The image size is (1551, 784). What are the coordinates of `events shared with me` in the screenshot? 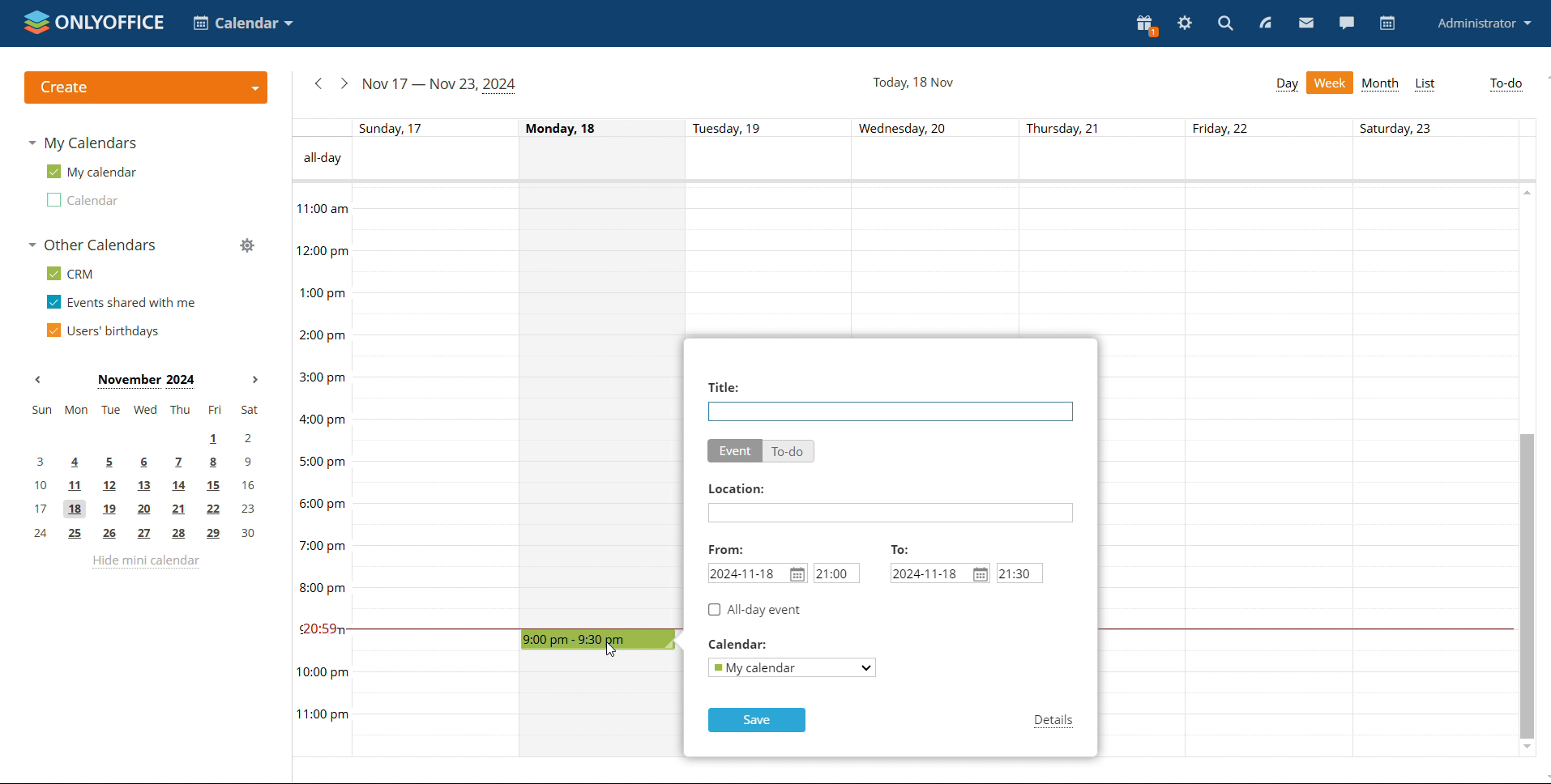 It's located at (120, 303).